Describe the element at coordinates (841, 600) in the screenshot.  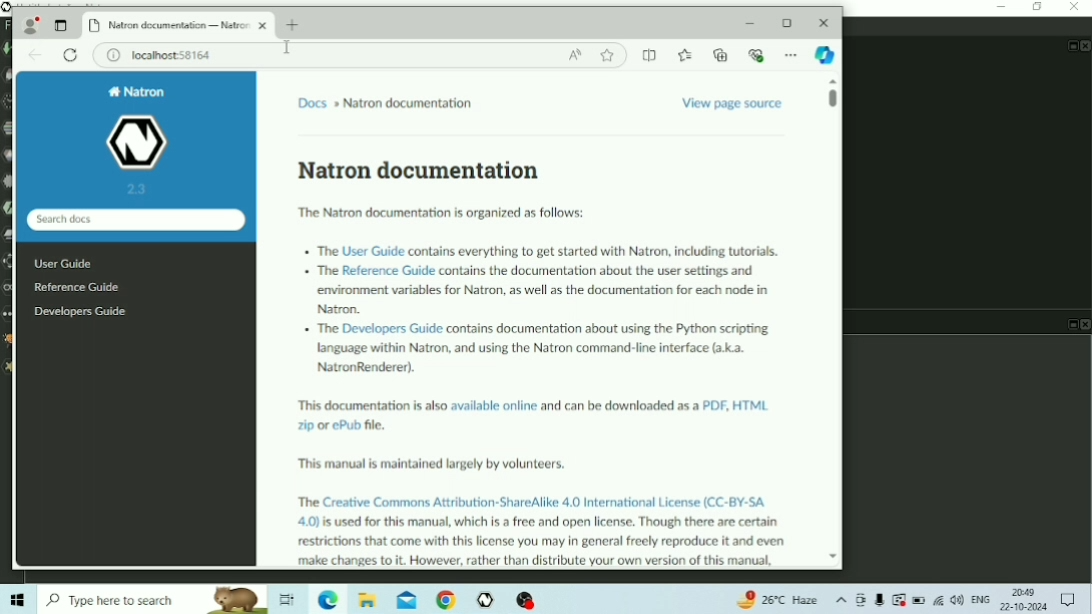
I see `Show hidden icons` at that location.